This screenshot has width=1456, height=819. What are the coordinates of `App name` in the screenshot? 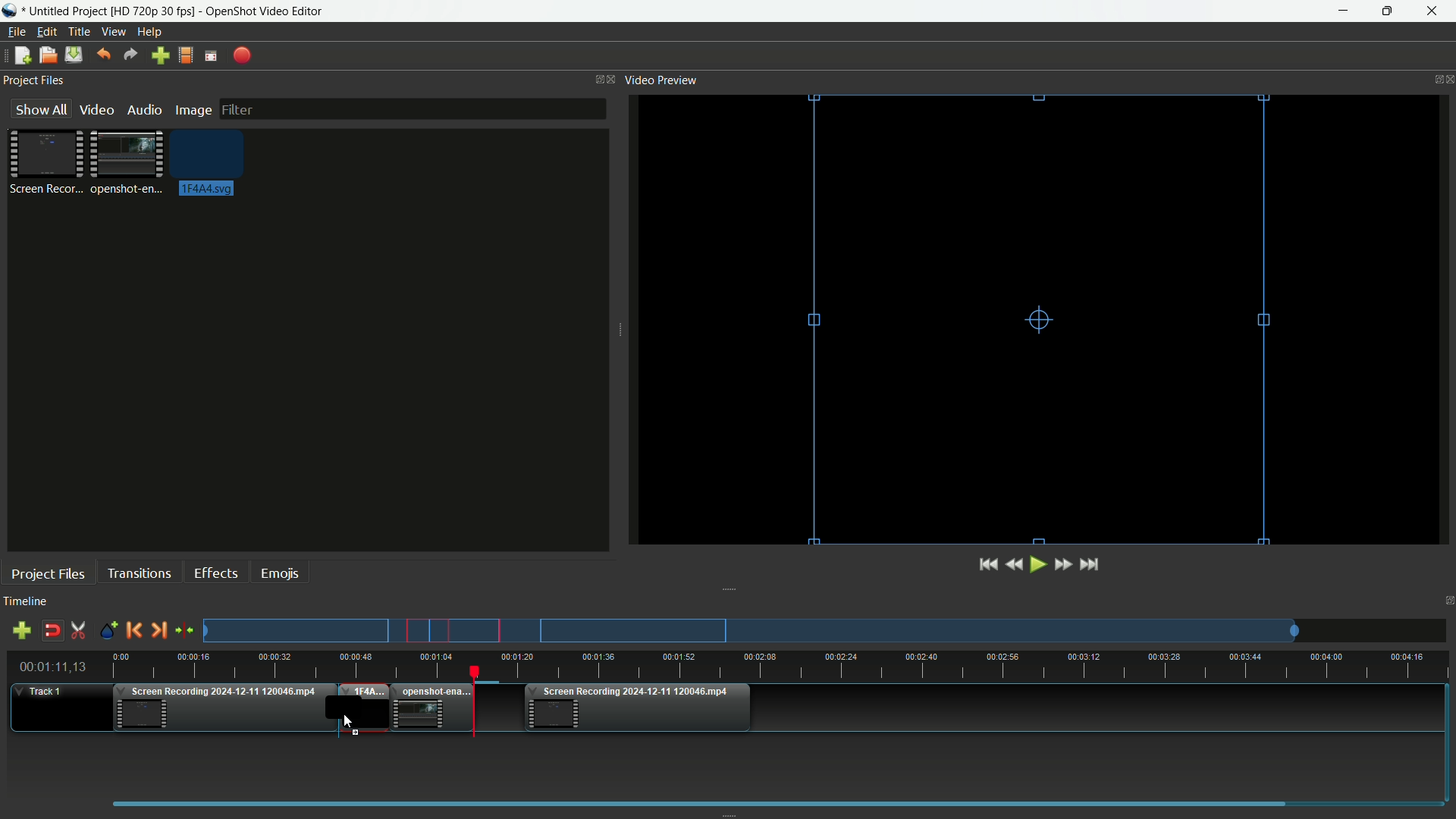 It's located at (266, 12).